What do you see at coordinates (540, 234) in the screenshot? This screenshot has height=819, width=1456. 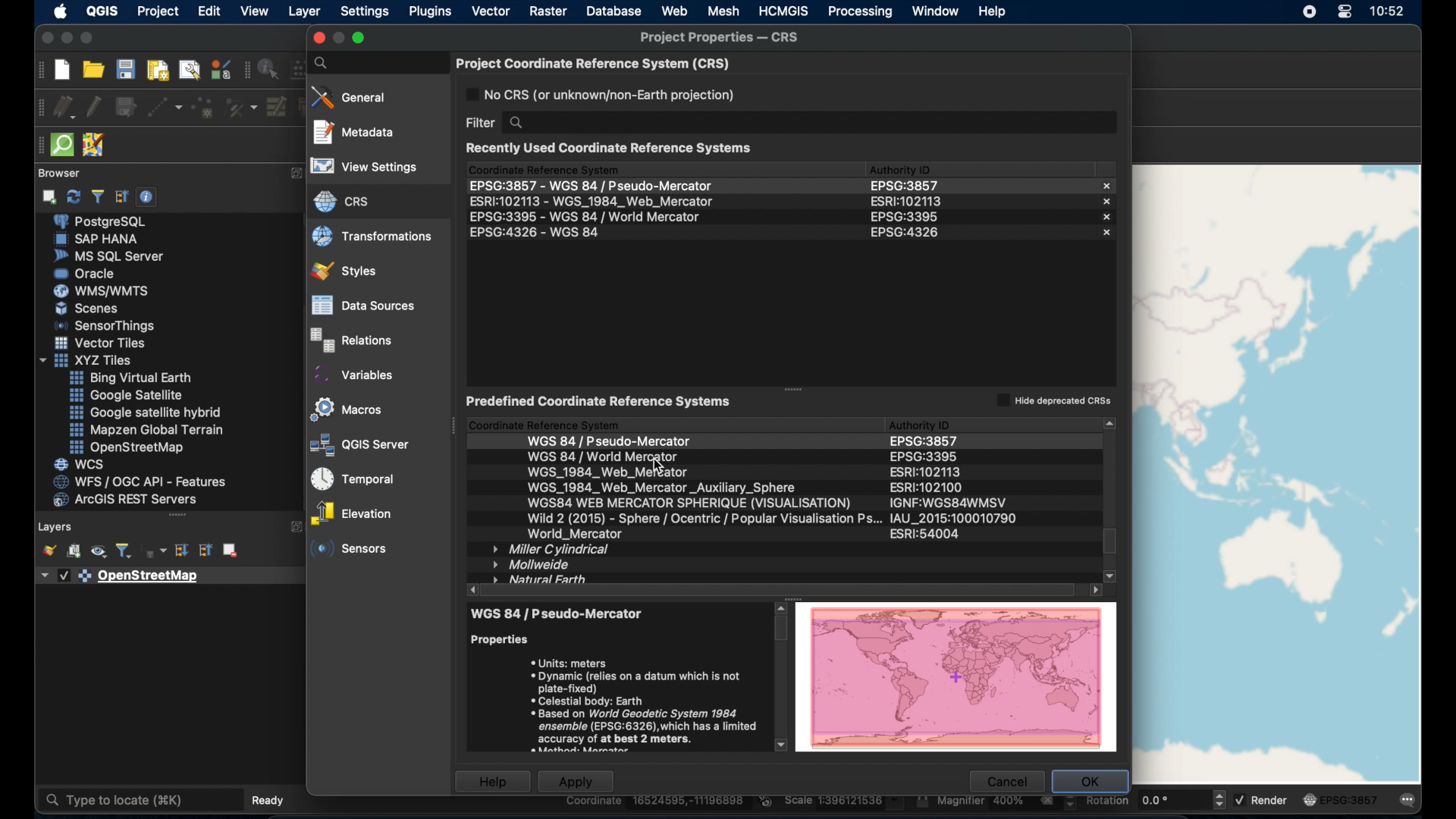 I see `EPSG:4326 - WGS 84` at bounding box center [540, 234].